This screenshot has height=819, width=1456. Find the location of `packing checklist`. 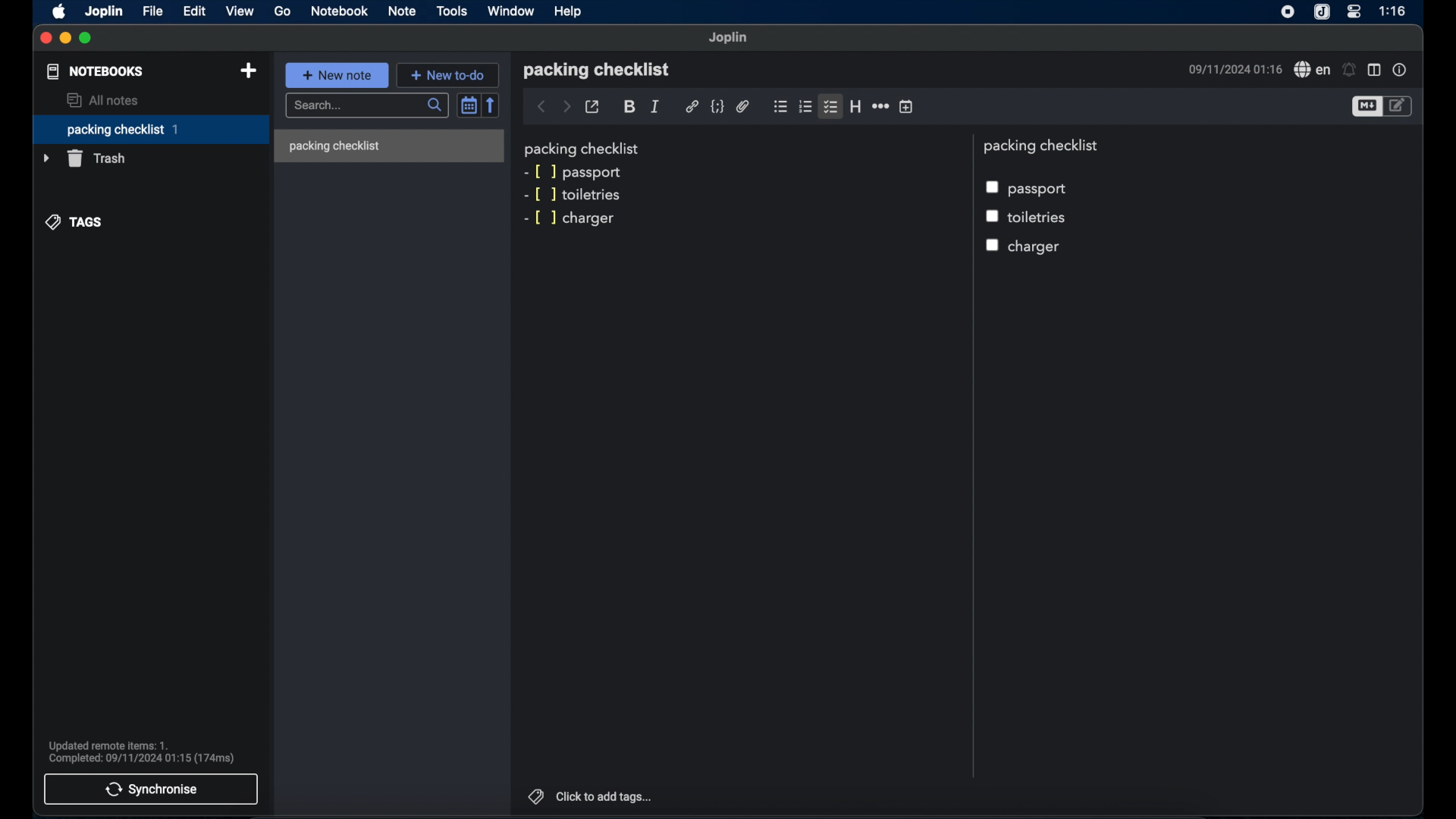

packing checklist is located at coordinates (334, 146).